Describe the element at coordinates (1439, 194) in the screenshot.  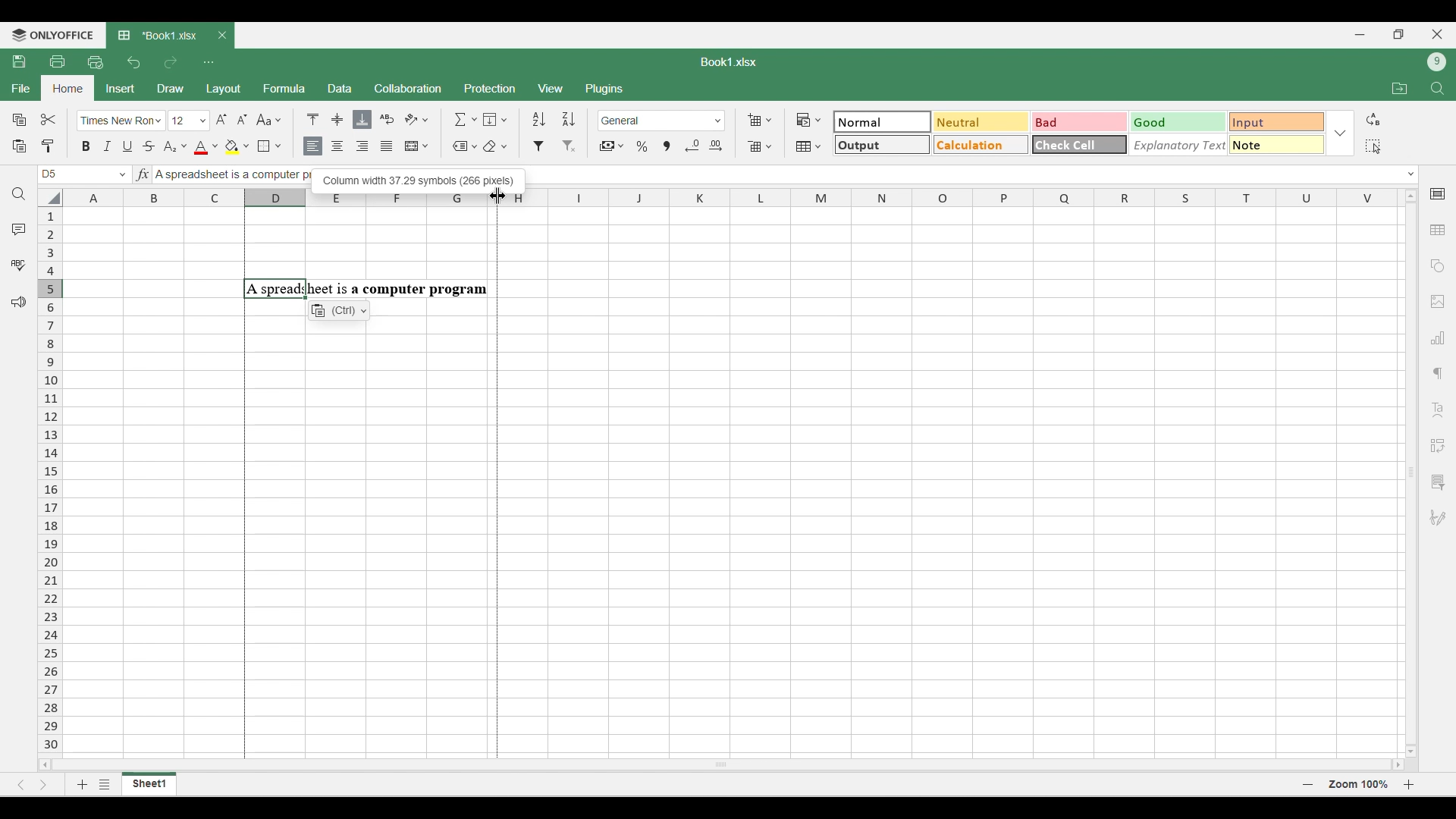
I see `Cell settings` at that location.